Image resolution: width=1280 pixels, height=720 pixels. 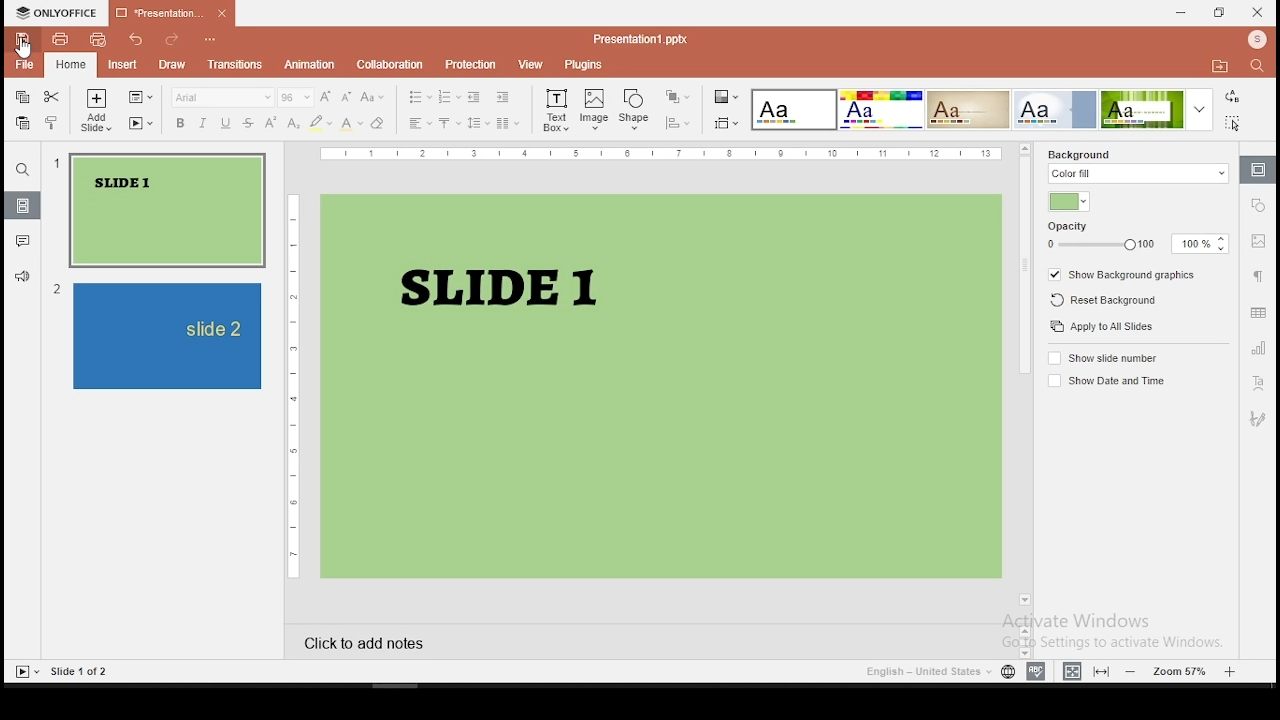 I want to click on Slide 1, so click(x=664, y=386).